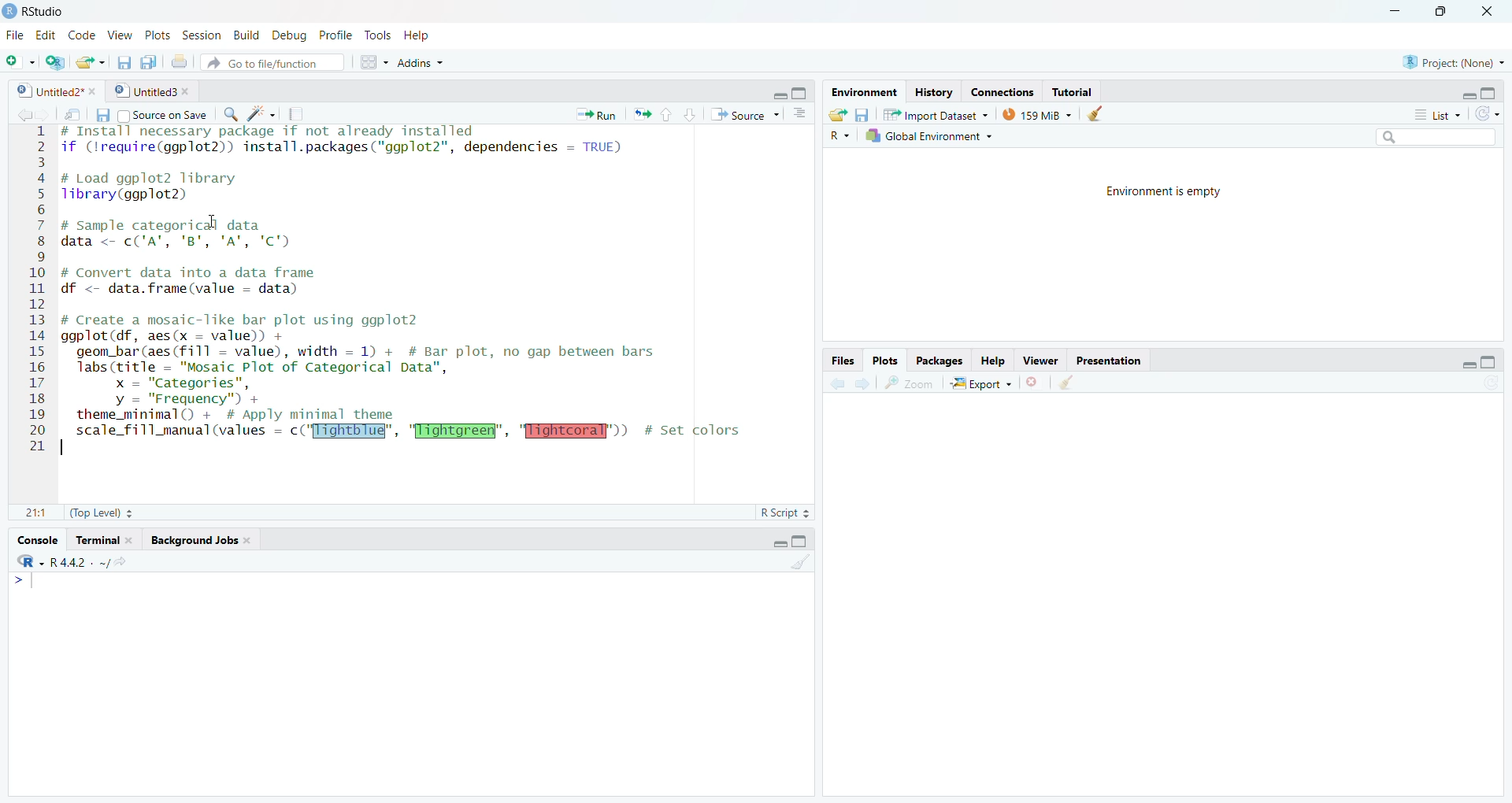  Describe the element at coordinates (839, 136) in the screenshot. I see `R` at that location.